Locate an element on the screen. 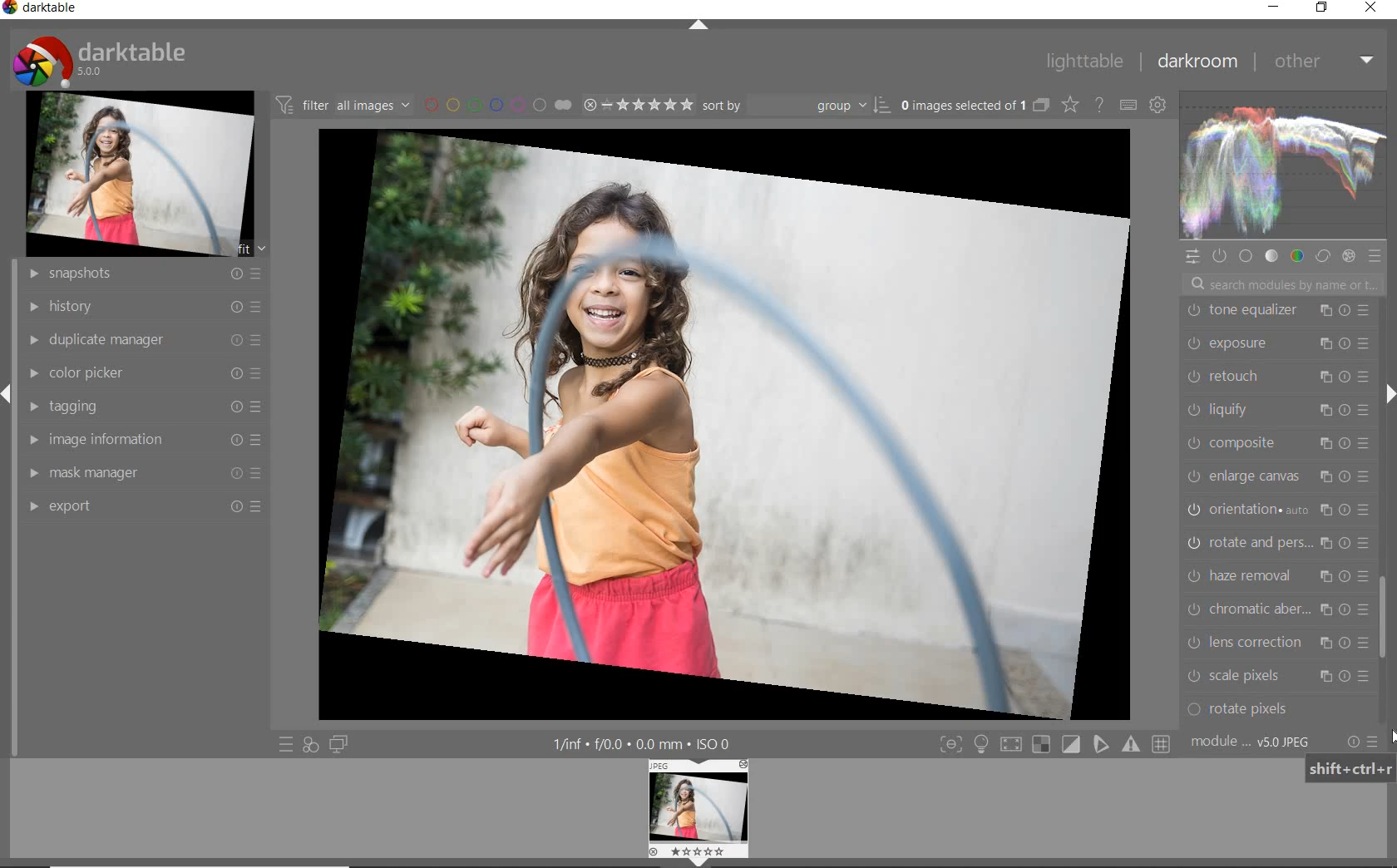 This screenshot has width=1397, height=868. collapse grouped images is located at coordinates (1041, 106).